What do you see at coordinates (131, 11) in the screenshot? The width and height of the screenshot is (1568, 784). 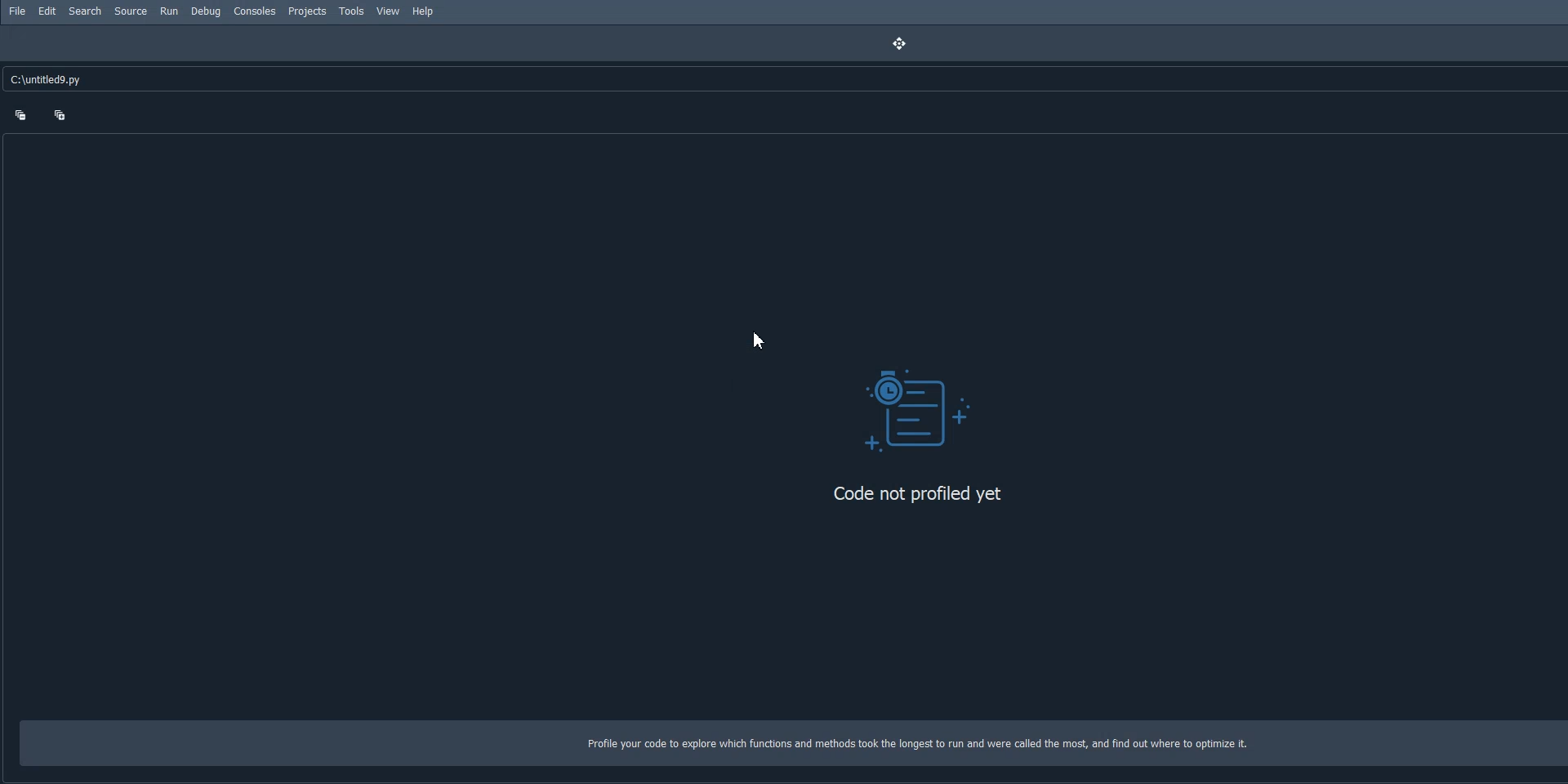 I see `Source` at bounding box center [131, 11].